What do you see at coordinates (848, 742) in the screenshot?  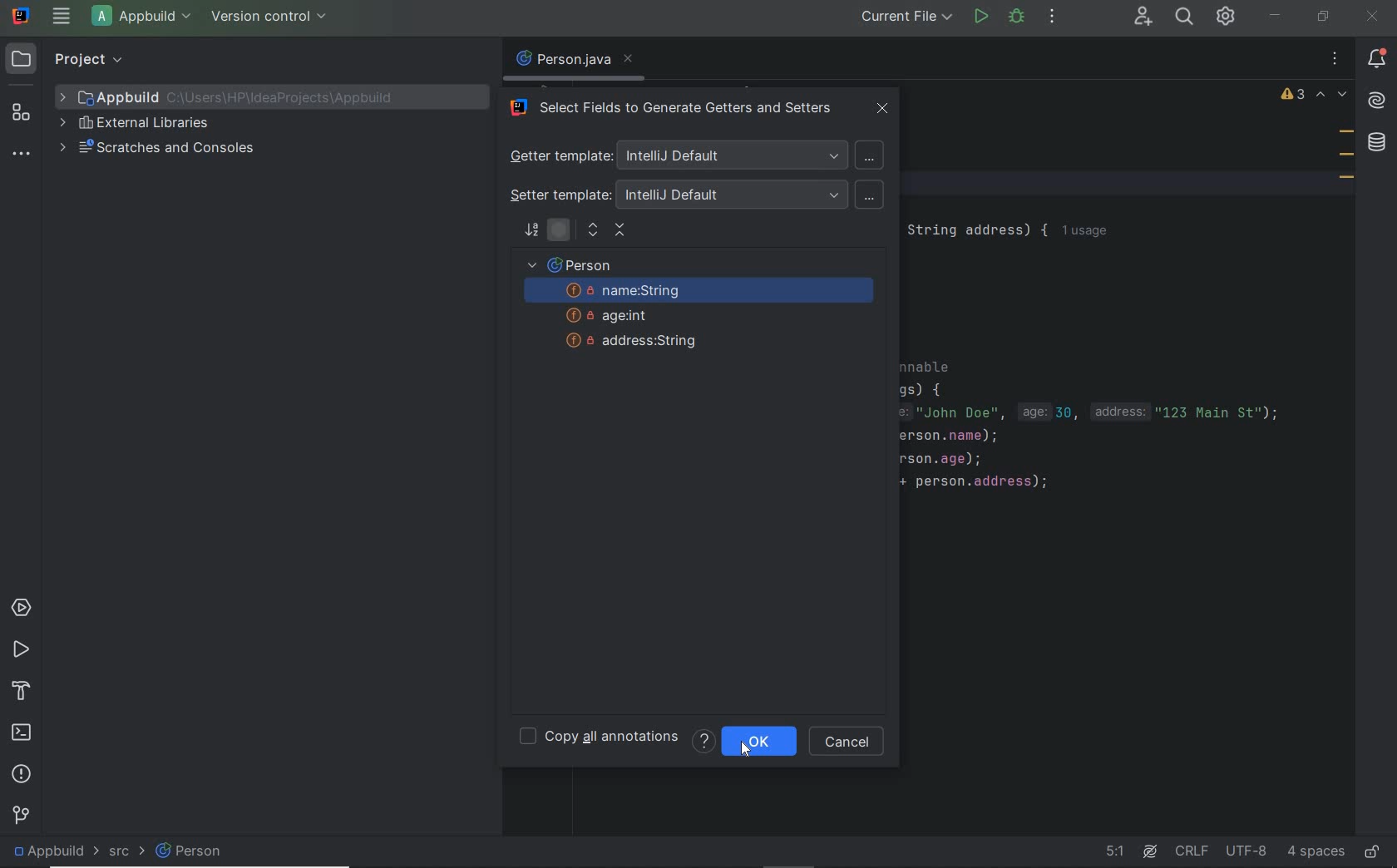 I see `cancel` at bounding box center [848, 742].